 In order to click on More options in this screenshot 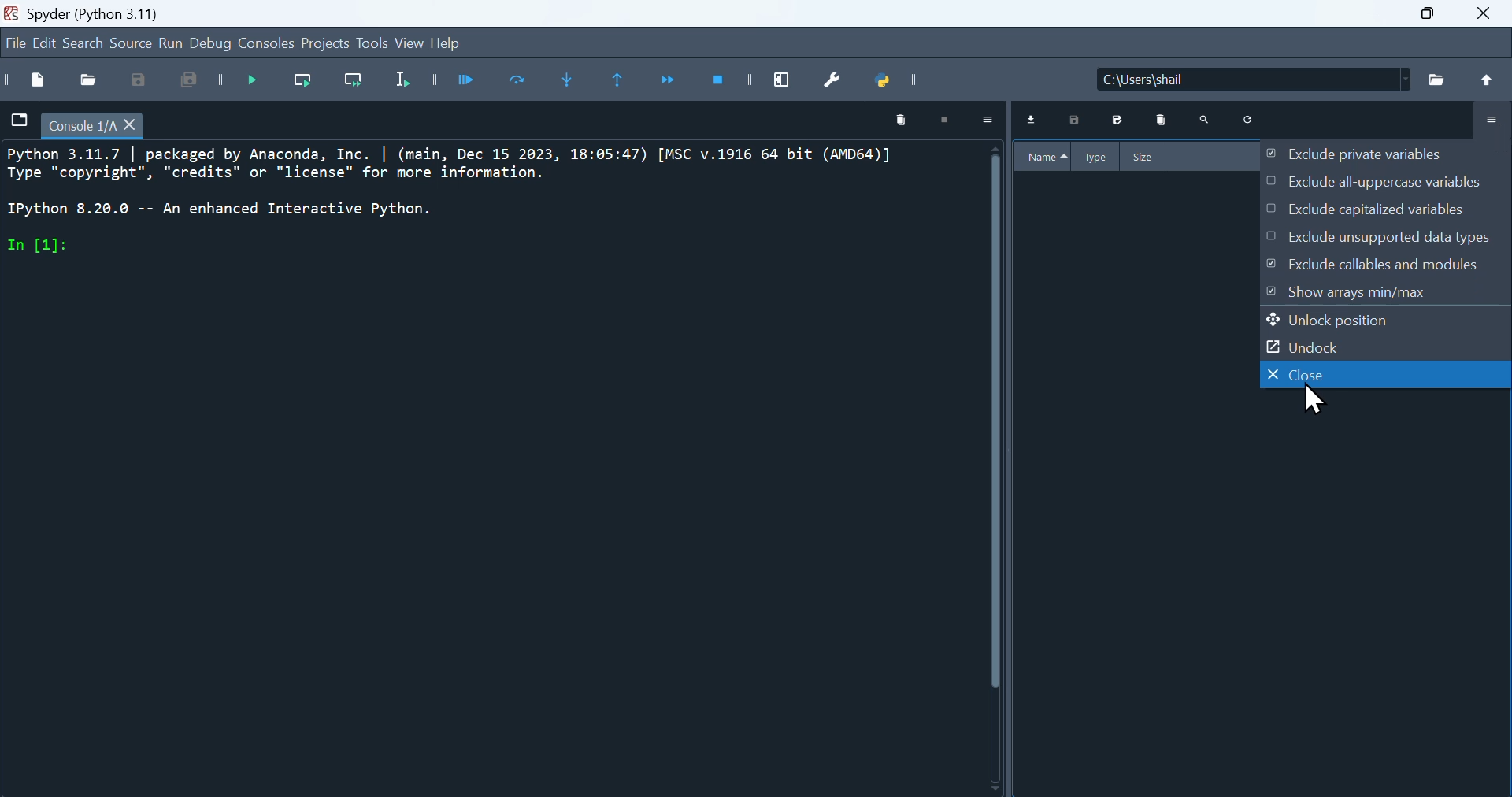, I will do `click(1488, 117)`.